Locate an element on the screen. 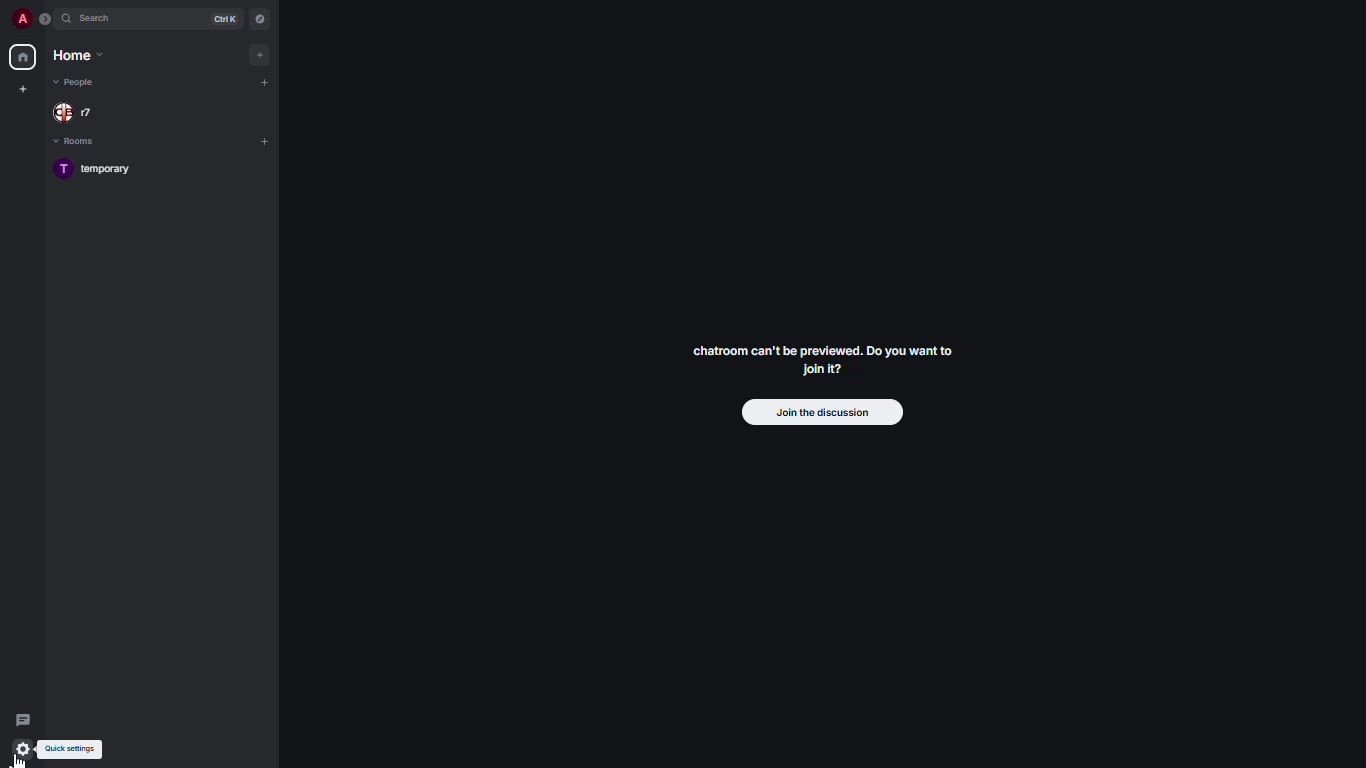  quick settings is located at coordinates (24, 748).